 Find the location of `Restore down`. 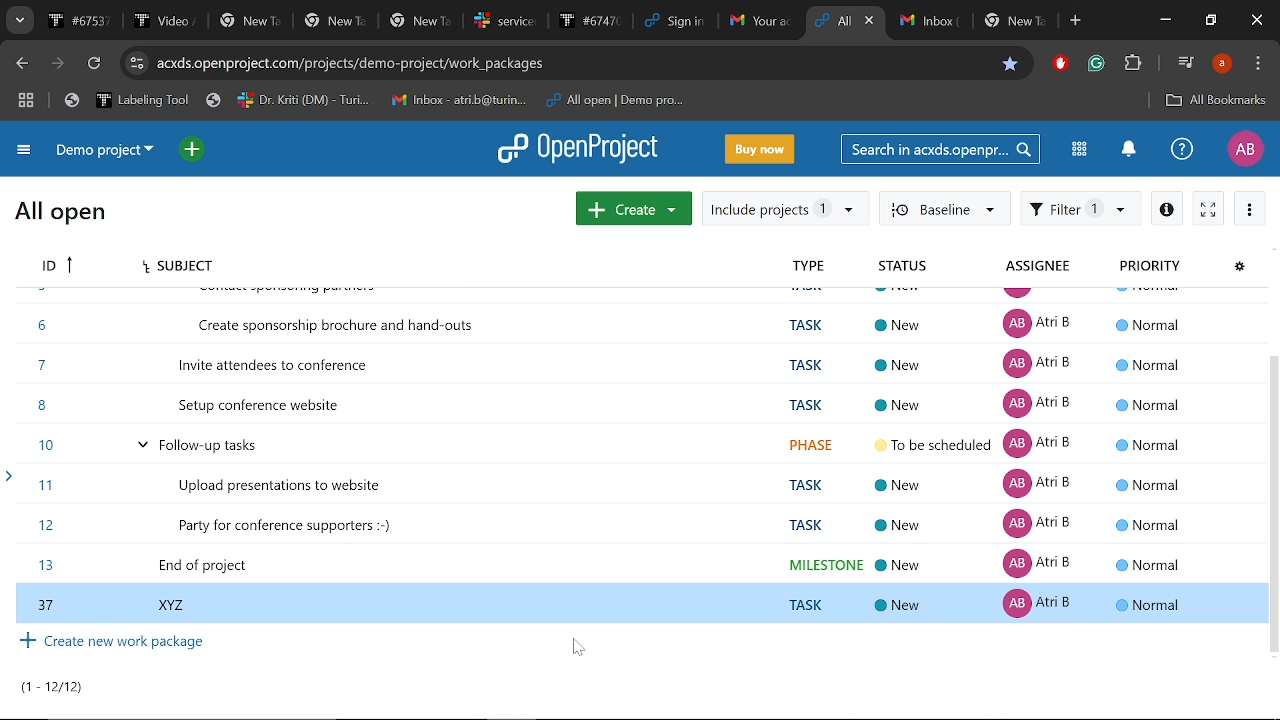

Restore down is located at coordinates (1212, 21).